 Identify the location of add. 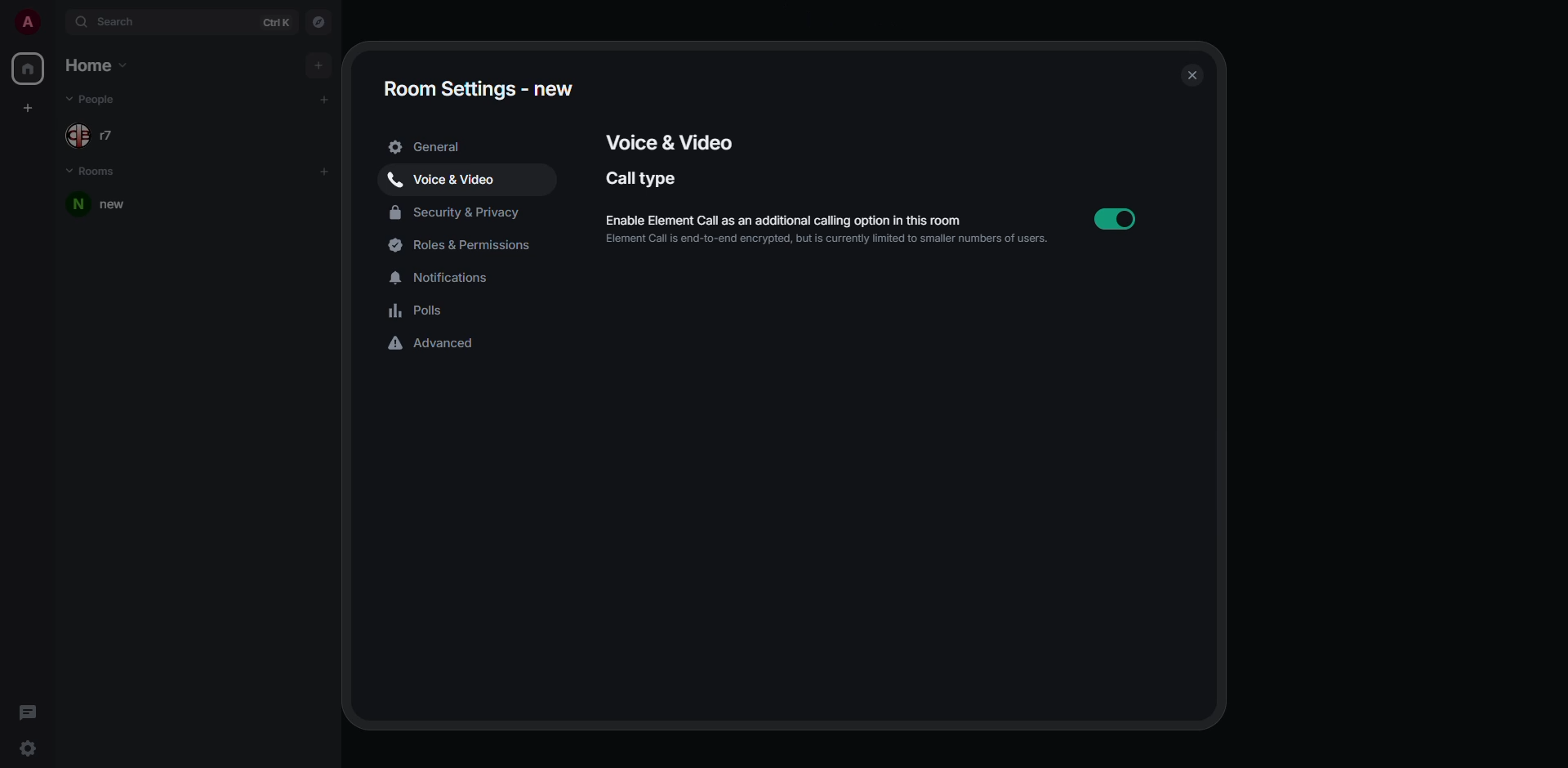
(325, 98).